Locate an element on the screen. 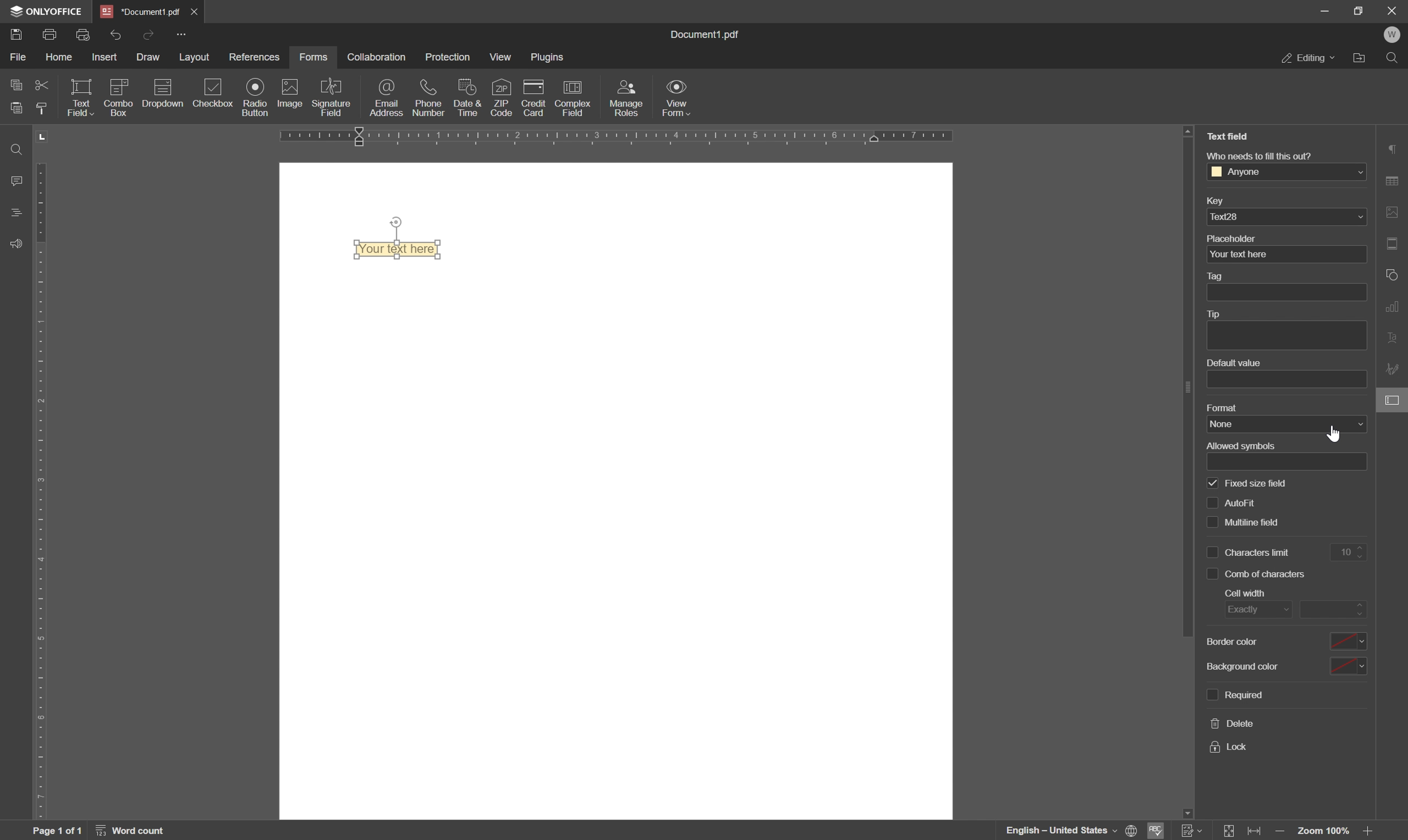  text art settings is located at coordinates (1394, 333).